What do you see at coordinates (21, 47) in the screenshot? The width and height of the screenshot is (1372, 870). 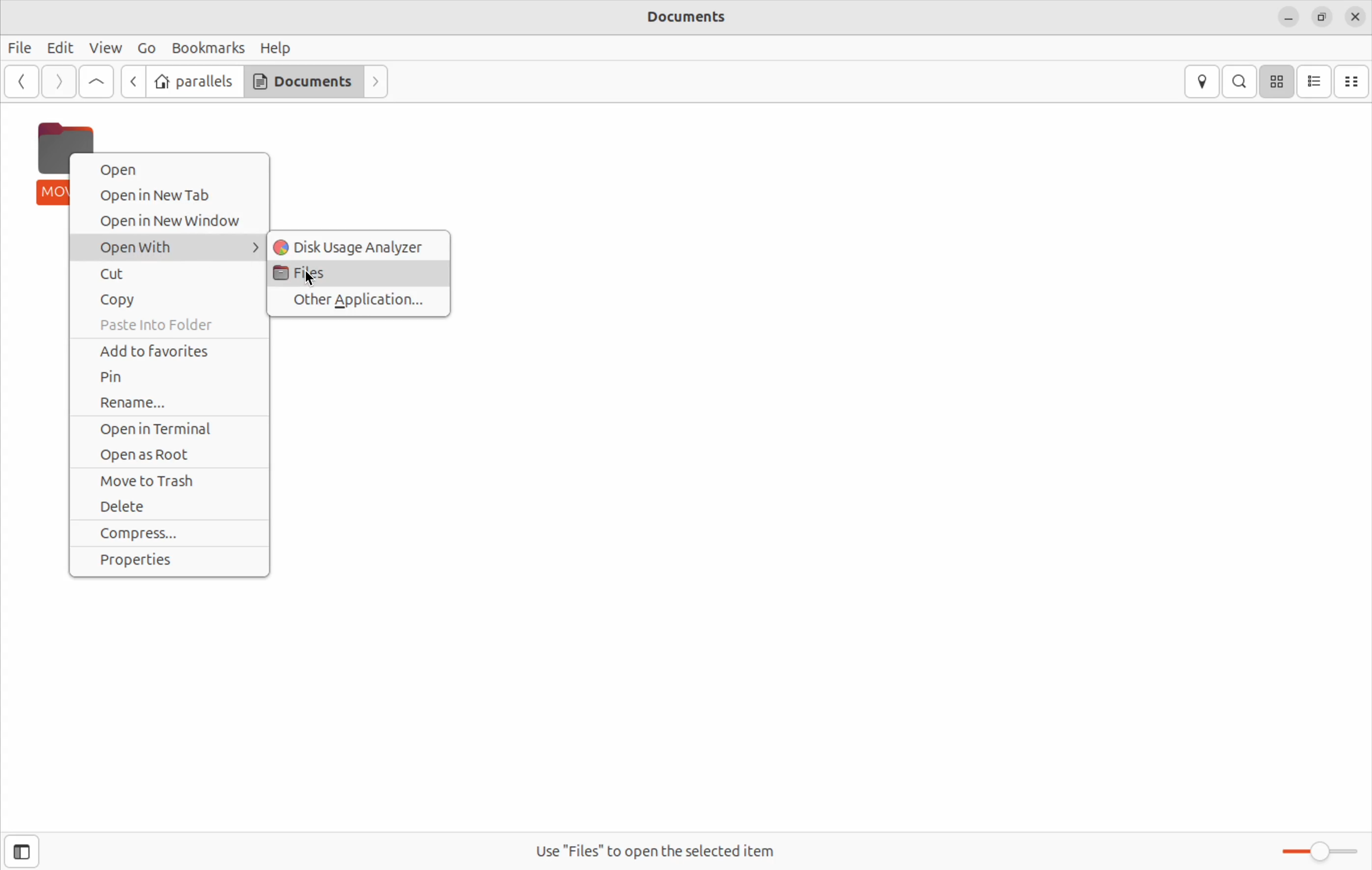 I see `File` at bounding box center [21, 47].